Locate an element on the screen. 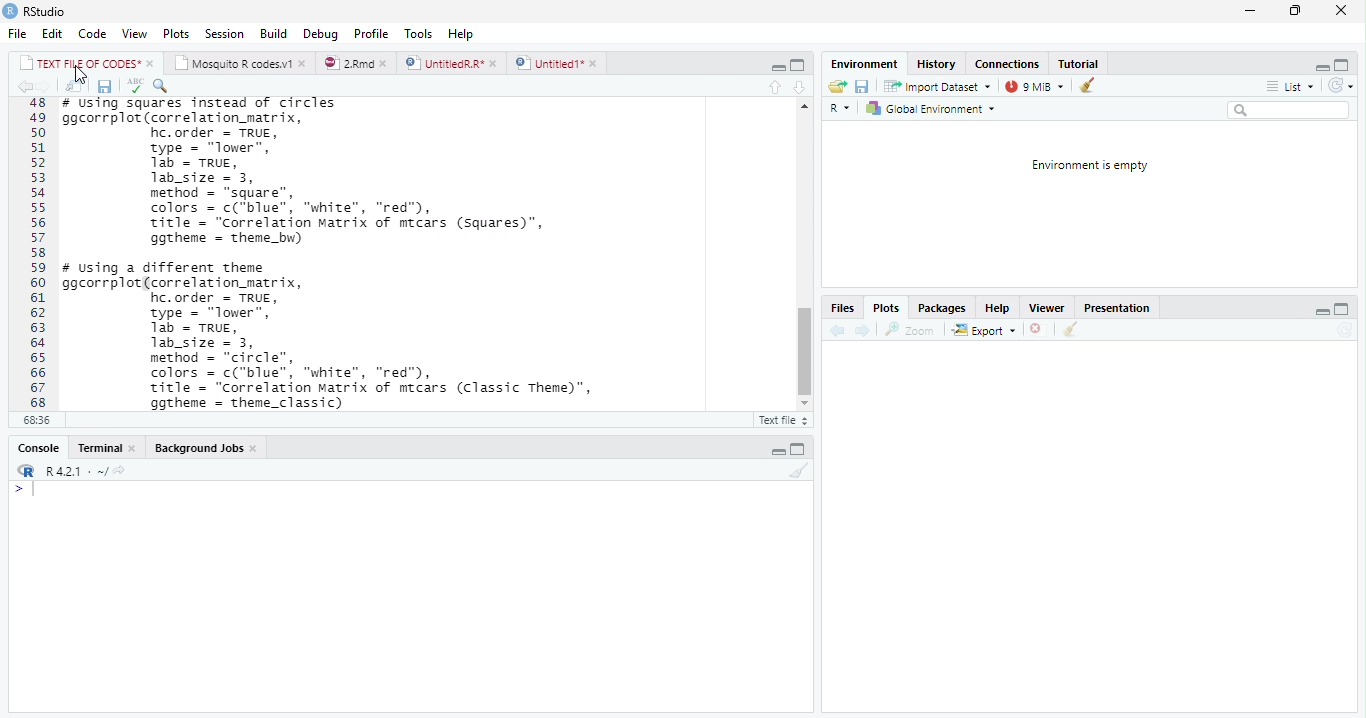 The width and height of the screenshot is (1366, 718). close is located at coordinates (1337, 10).